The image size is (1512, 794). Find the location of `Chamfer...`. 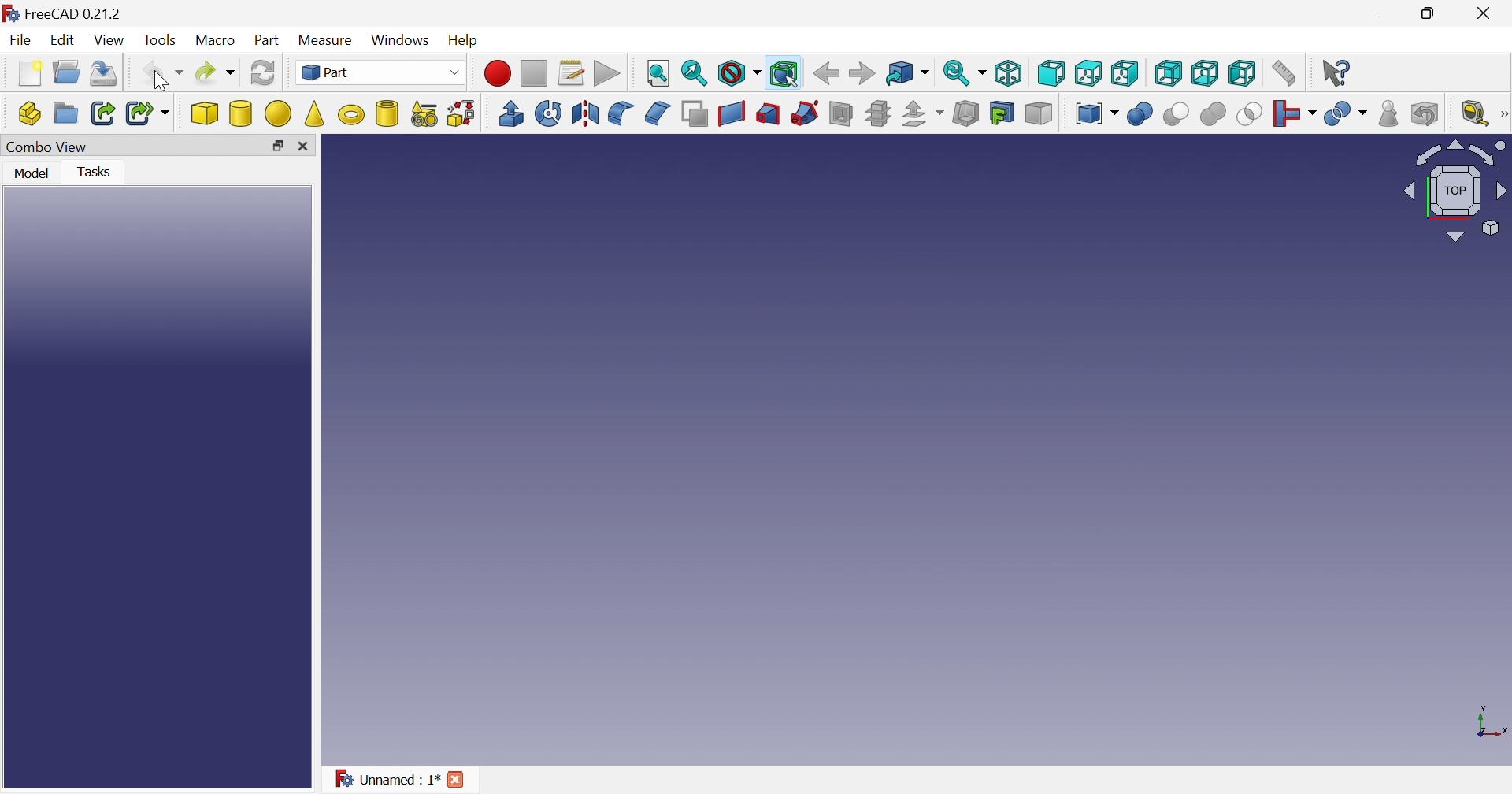

Chamfer... is located at coordinates (658, 113).